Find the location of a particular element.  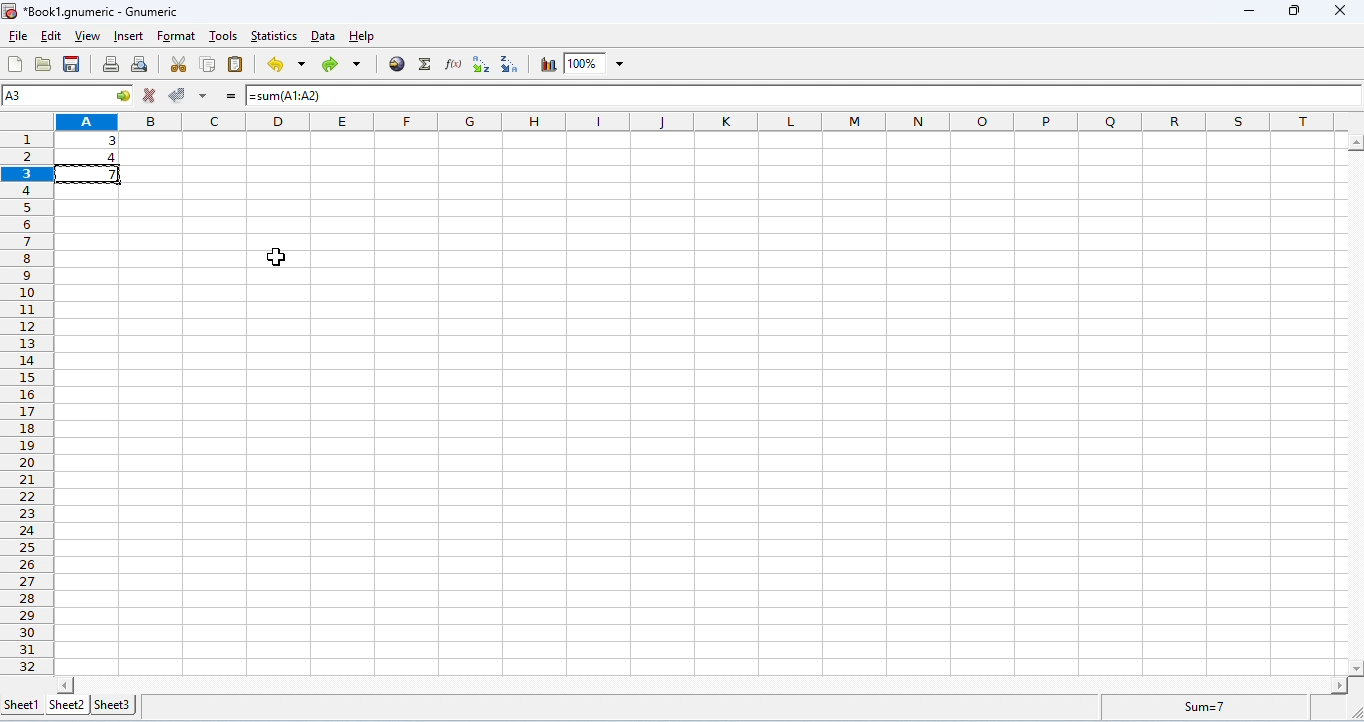

save is located at coordinates (72, 64).